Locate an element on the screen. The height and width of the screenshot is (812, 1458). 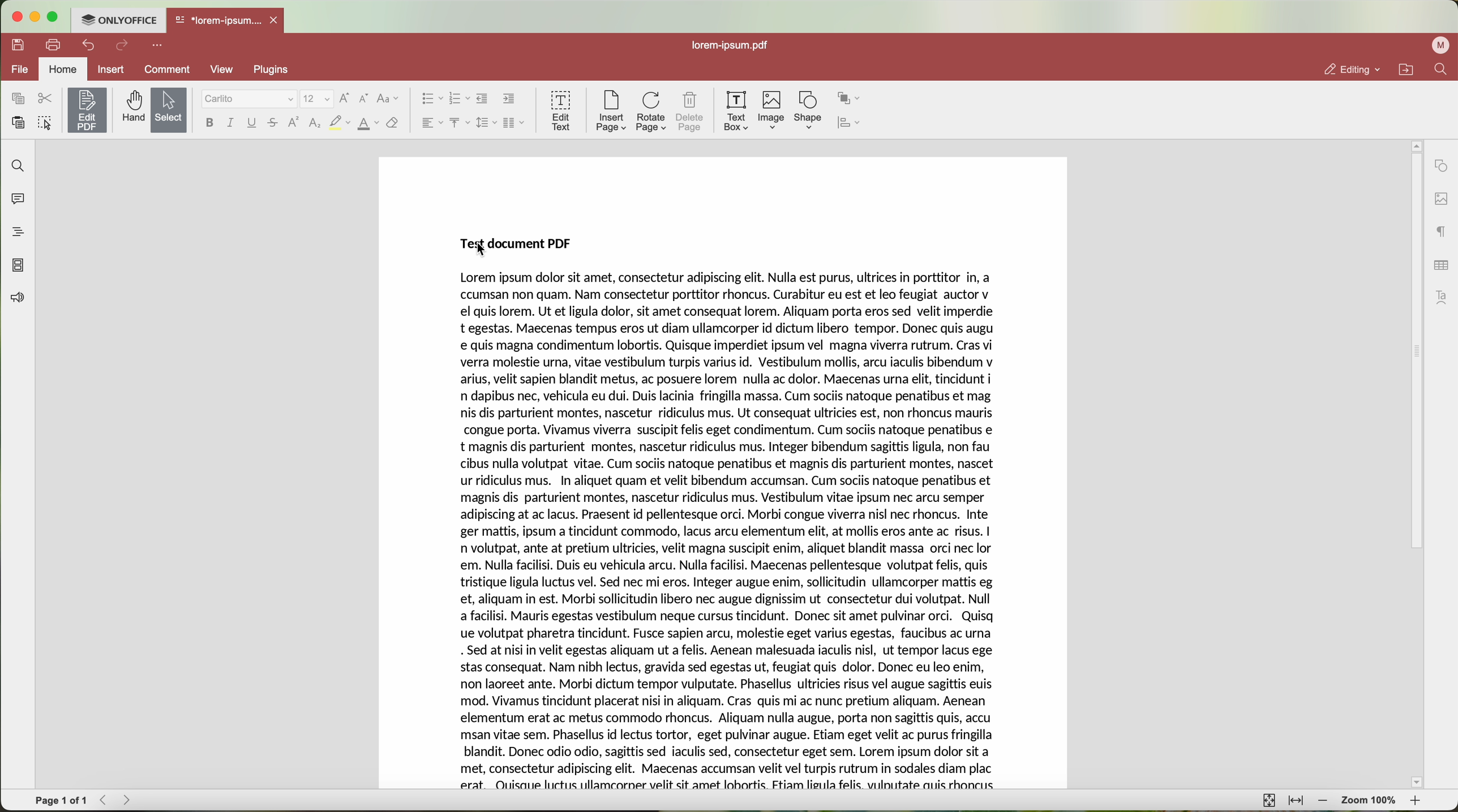
clear style is located at coordinates (393, 124).